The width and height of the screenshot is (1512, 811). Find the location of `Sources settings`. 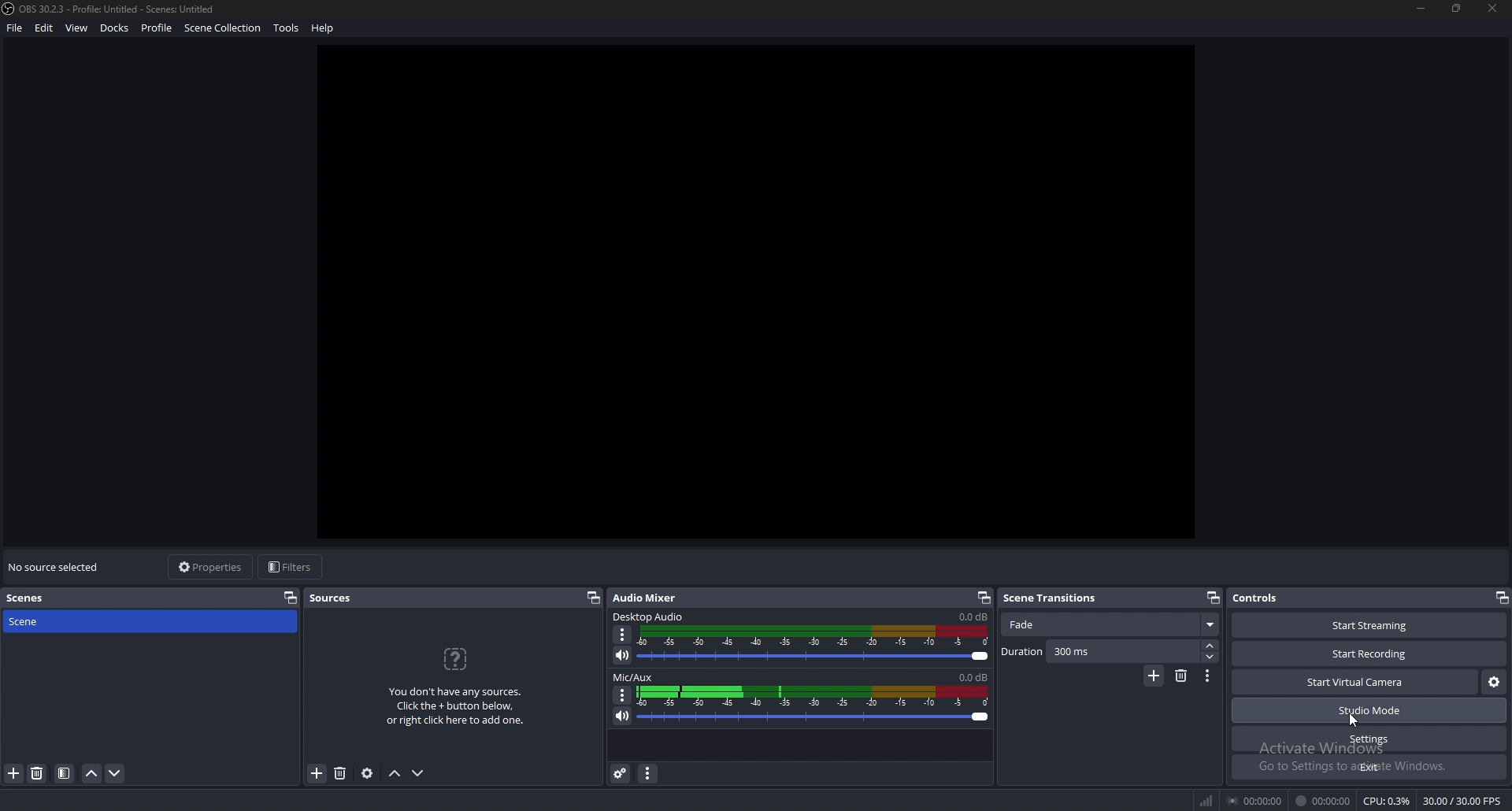

Sources settings is located at coordinates (368, 773).